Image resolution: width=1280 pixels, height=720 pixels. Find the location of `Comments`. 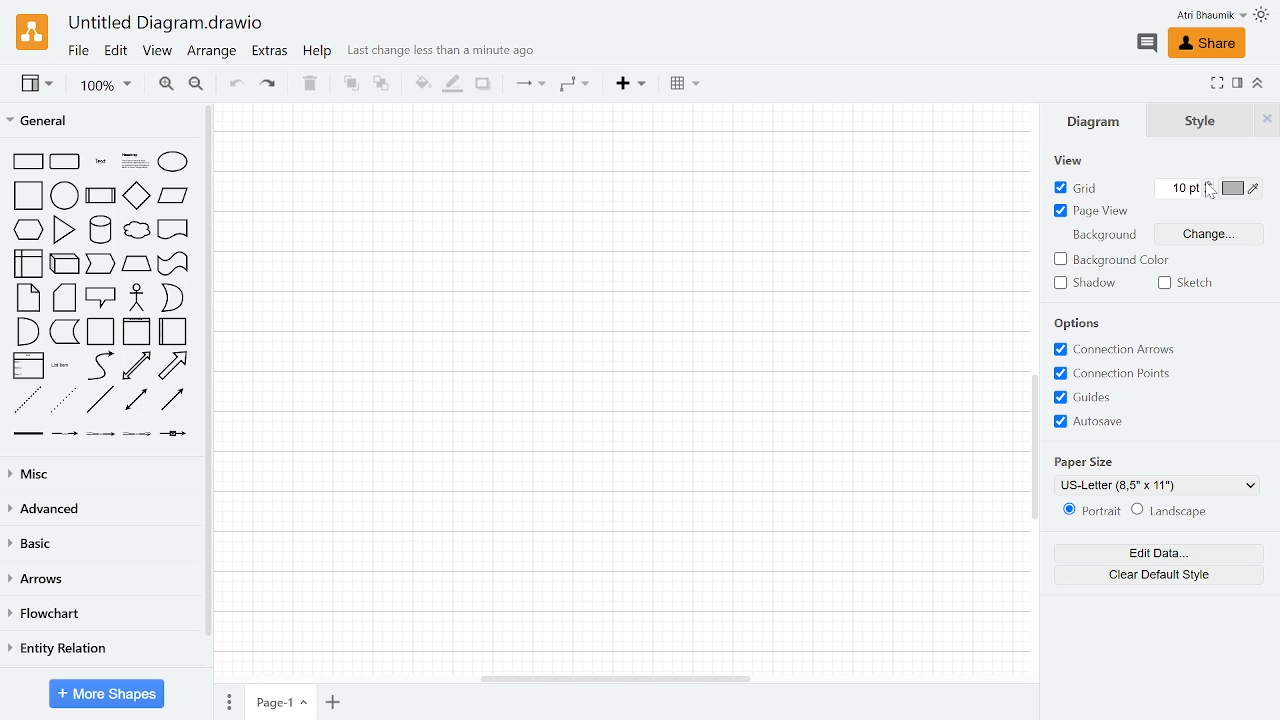

Comments is located at coordinates (1147, 45).